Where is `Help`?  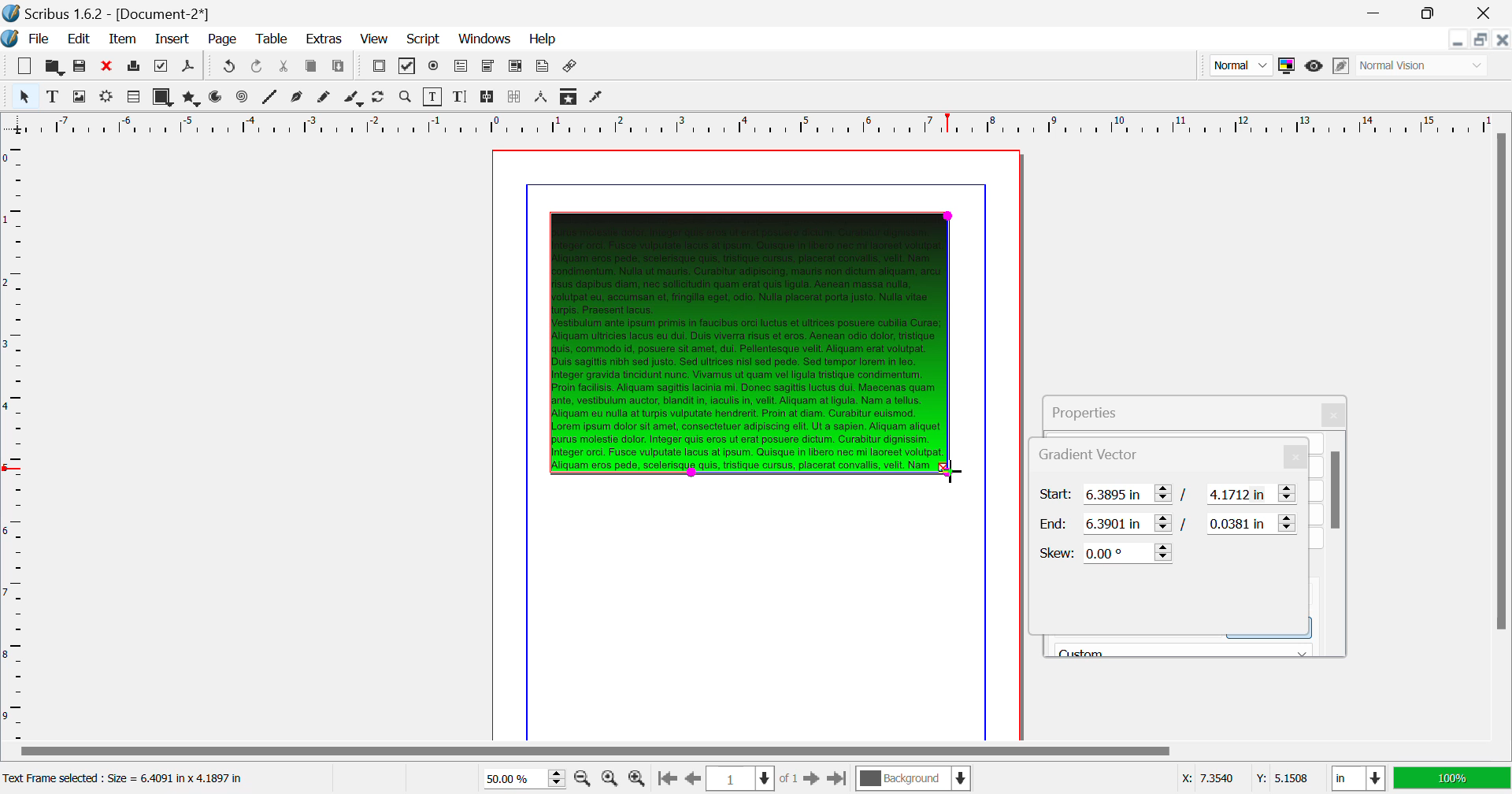
Help is located at coordinates (544, 39).